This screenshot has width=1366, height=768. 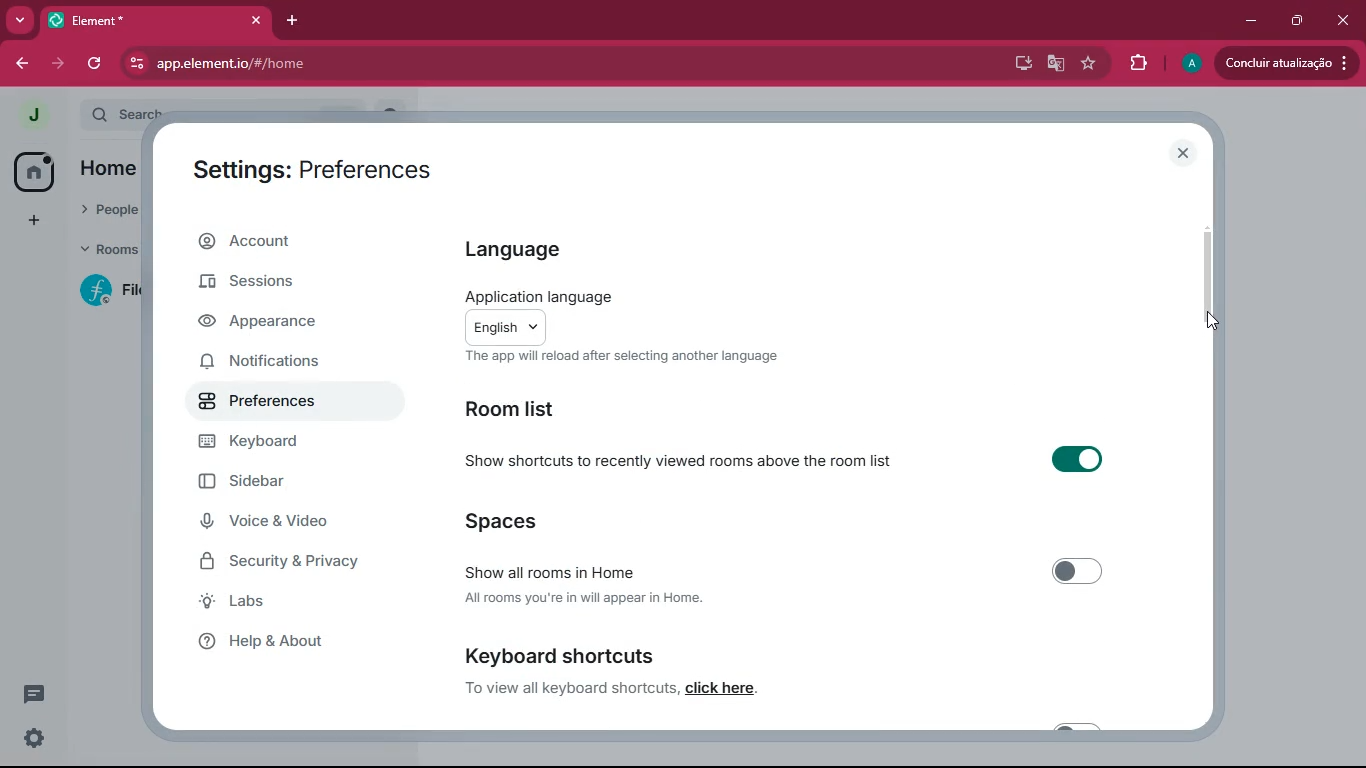 I want to click on labs, so click(x=266, y=602).